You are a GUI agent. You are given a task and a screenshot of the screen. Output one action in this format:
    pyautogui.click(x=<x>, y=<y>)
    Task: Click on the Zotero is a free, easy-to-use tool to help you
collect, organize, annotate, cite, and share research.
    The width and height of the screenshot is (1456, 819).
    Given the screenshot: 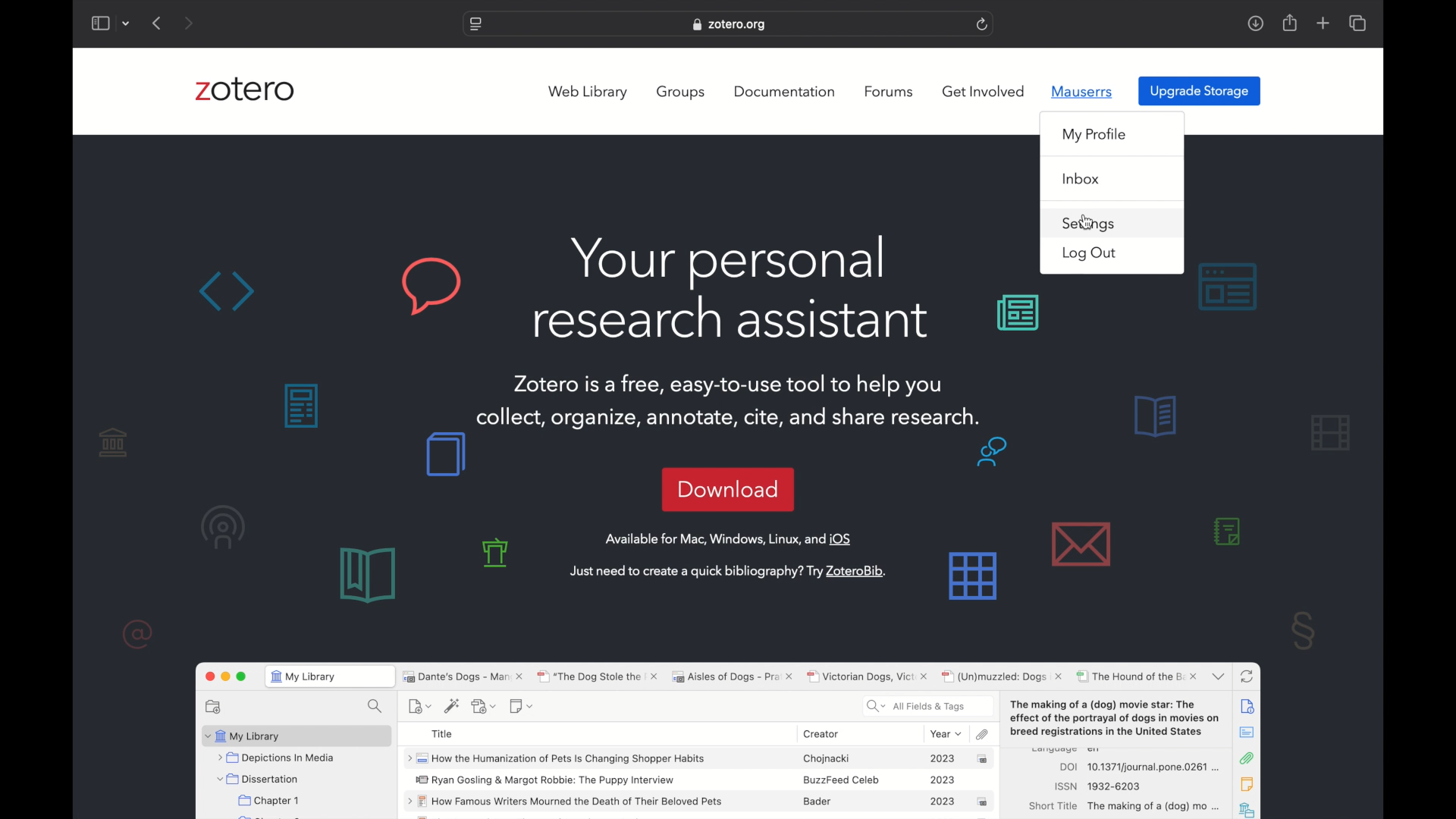 What is the action you would take?
    pyautogui.click(x=746, y=403)
    